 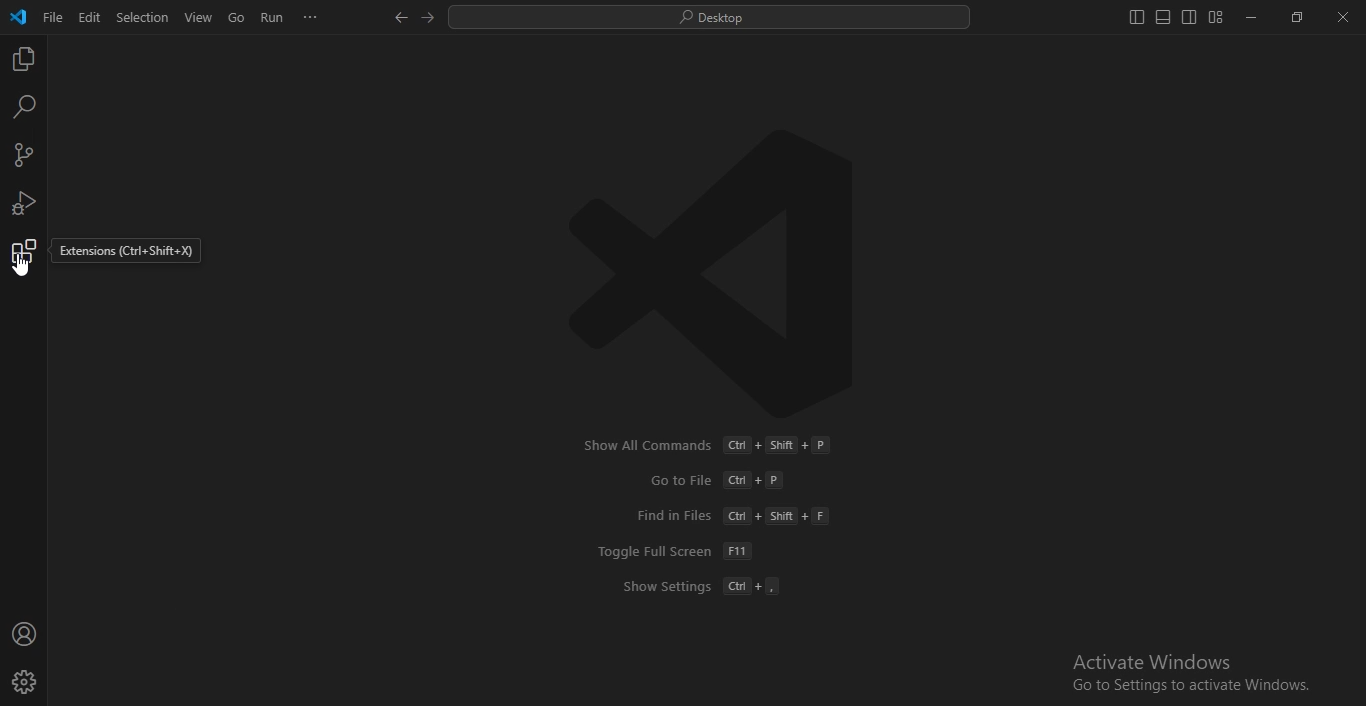 I want to click on selection, so click(x=142, y=17).